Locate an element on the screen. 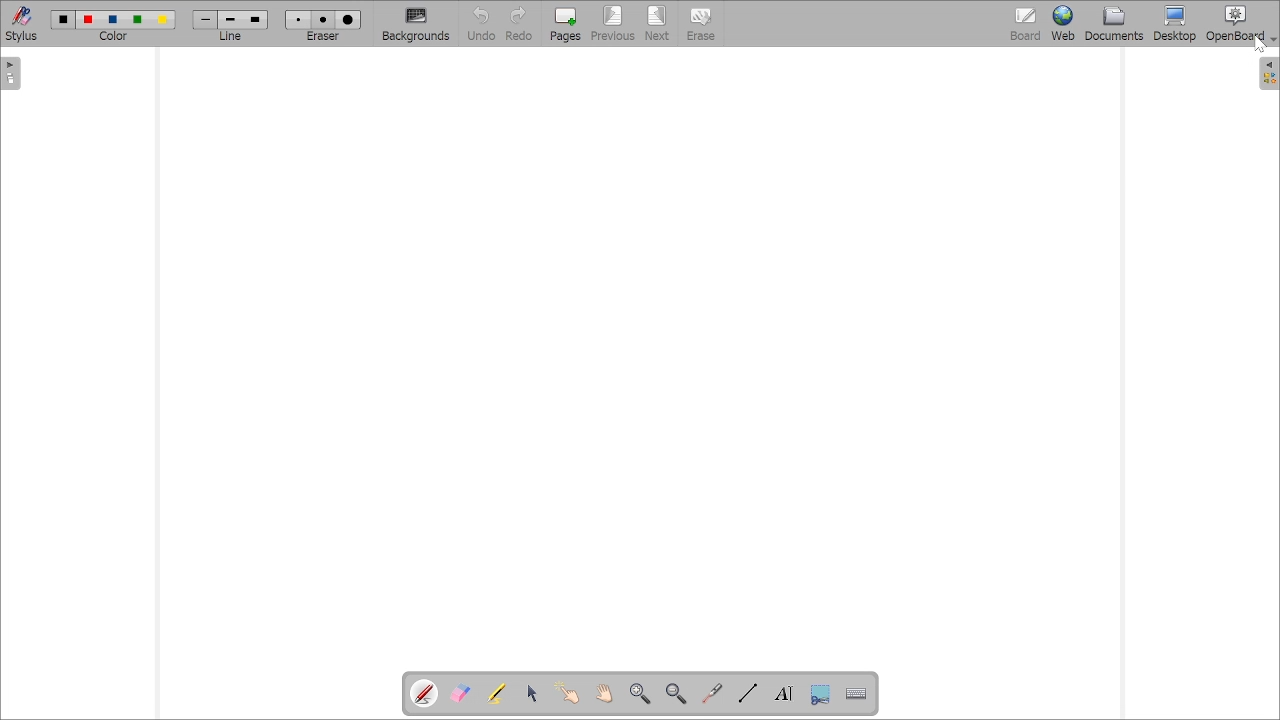 This screenshot has width=1280, height=720. eraser is located at coordinates (323, 38).